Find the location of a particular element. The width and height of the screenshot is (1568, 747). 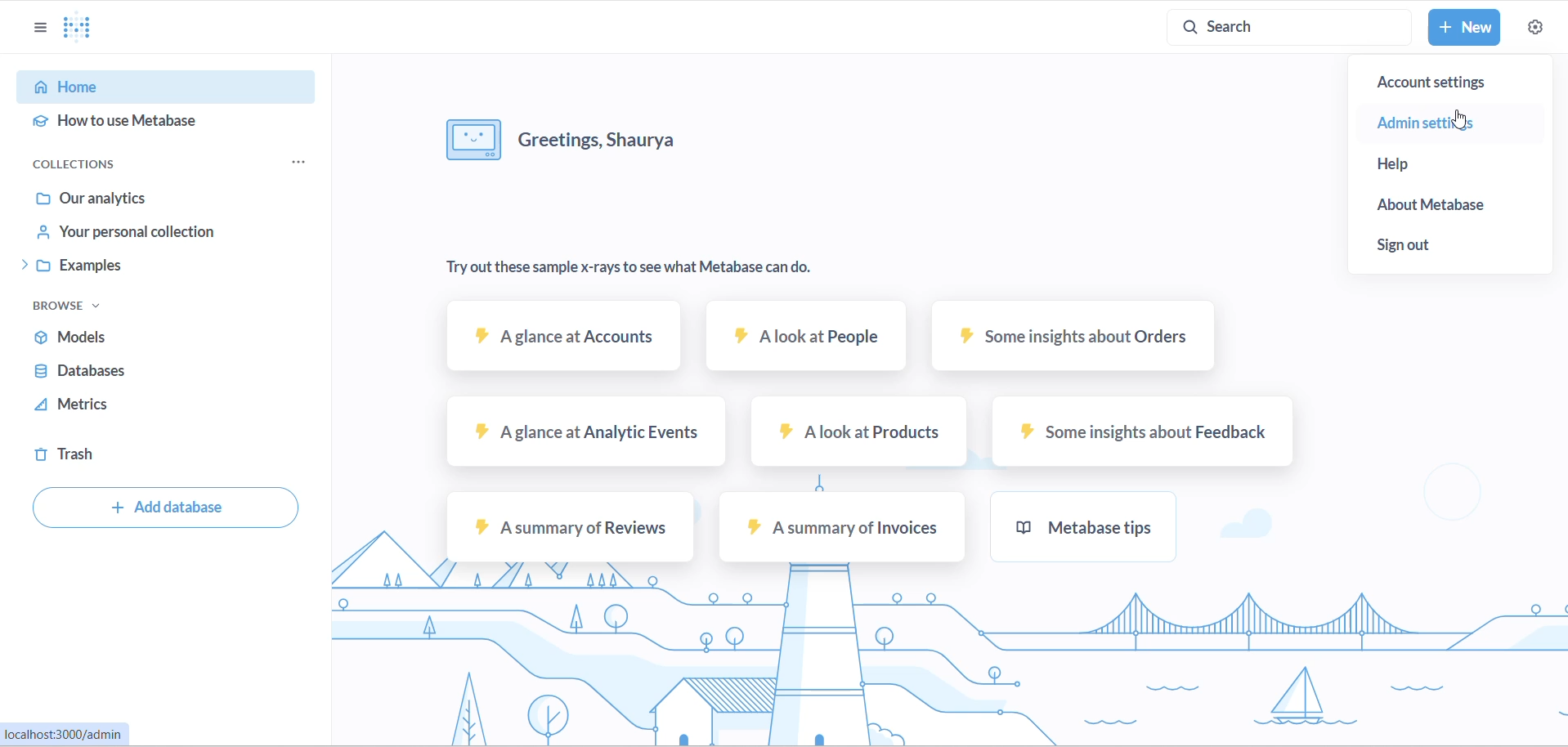

A glance at Analytic events is located at coordinates (583, 430).